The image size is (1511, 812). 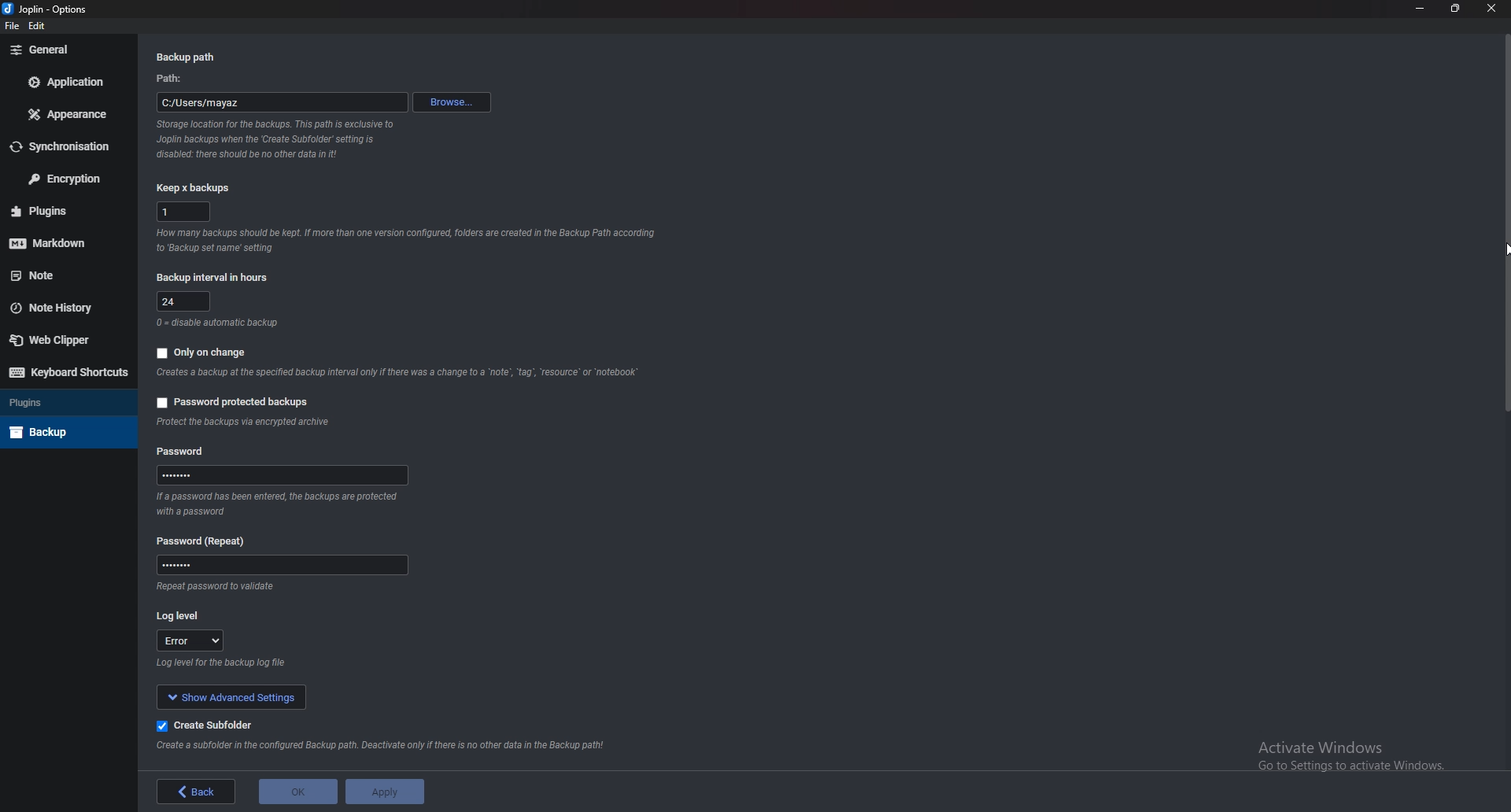 What do you see at coordinates (211, 539) in the screenshot?
I see `Password (repeat)` at bounding box center [211, 539].